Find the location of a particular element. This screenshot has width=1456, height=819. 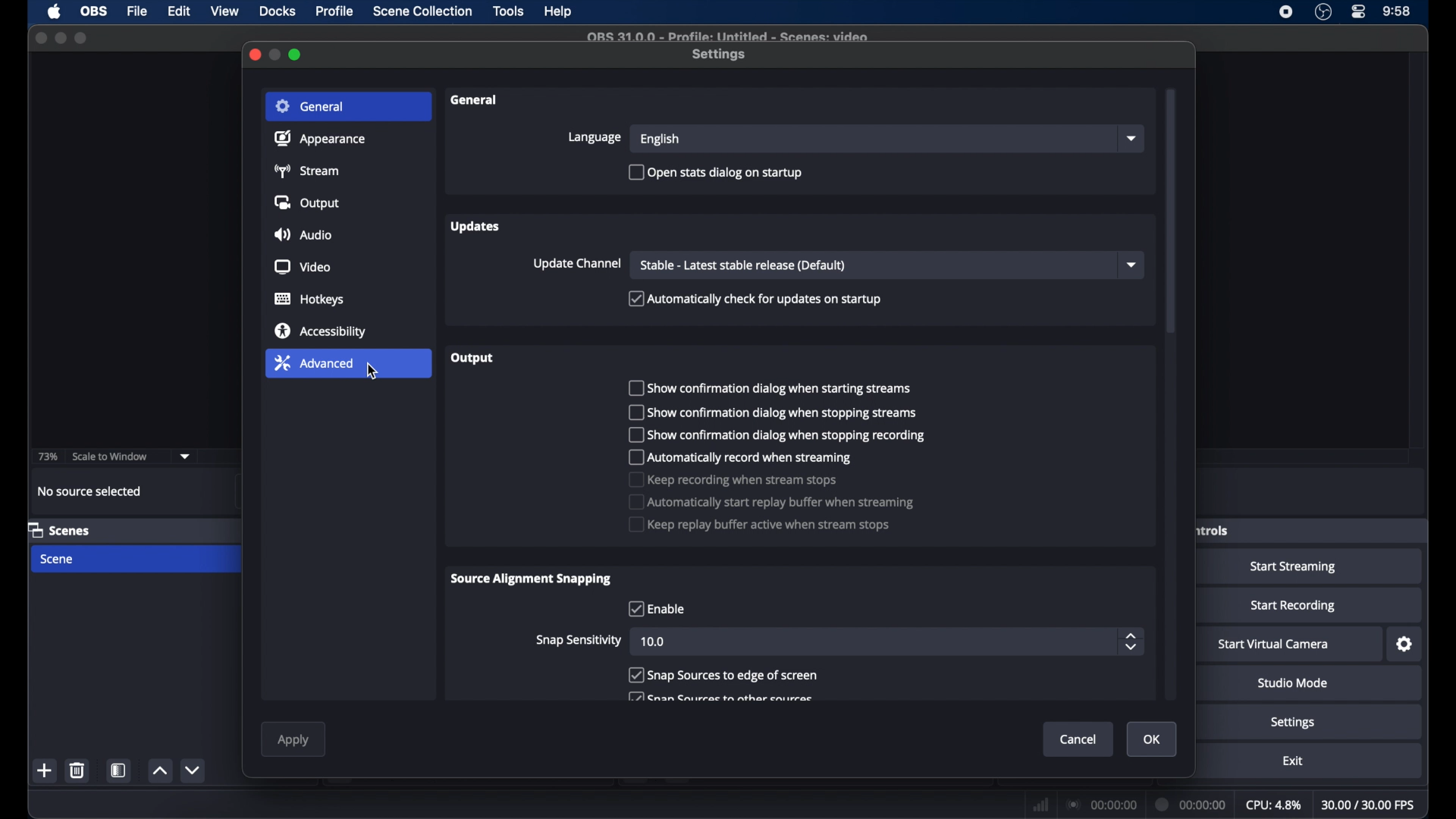

general is located at coordinates (477, 101).